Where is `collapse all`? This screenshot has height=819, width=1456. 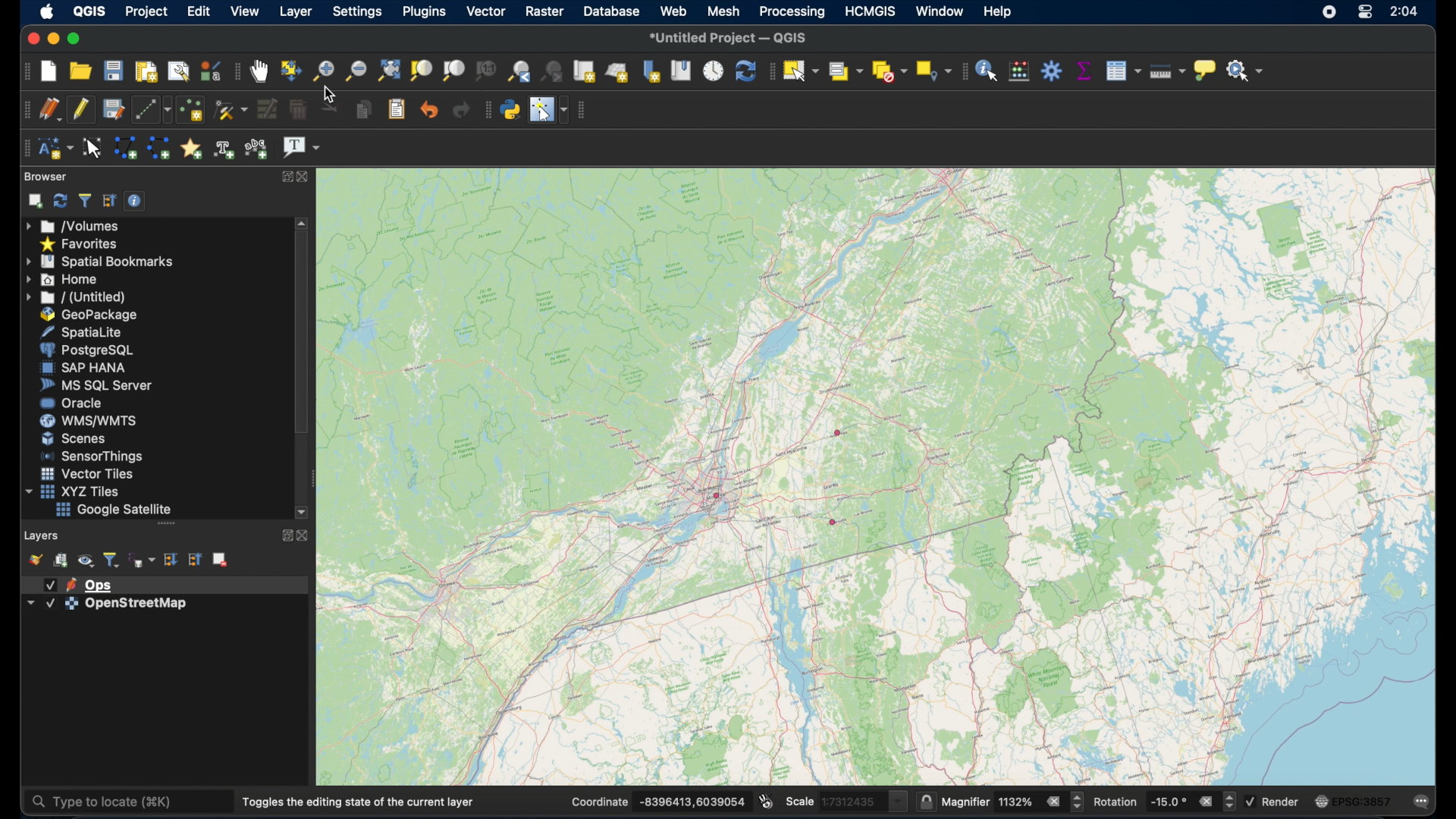
collapse all is located at coordinates (194, 559).